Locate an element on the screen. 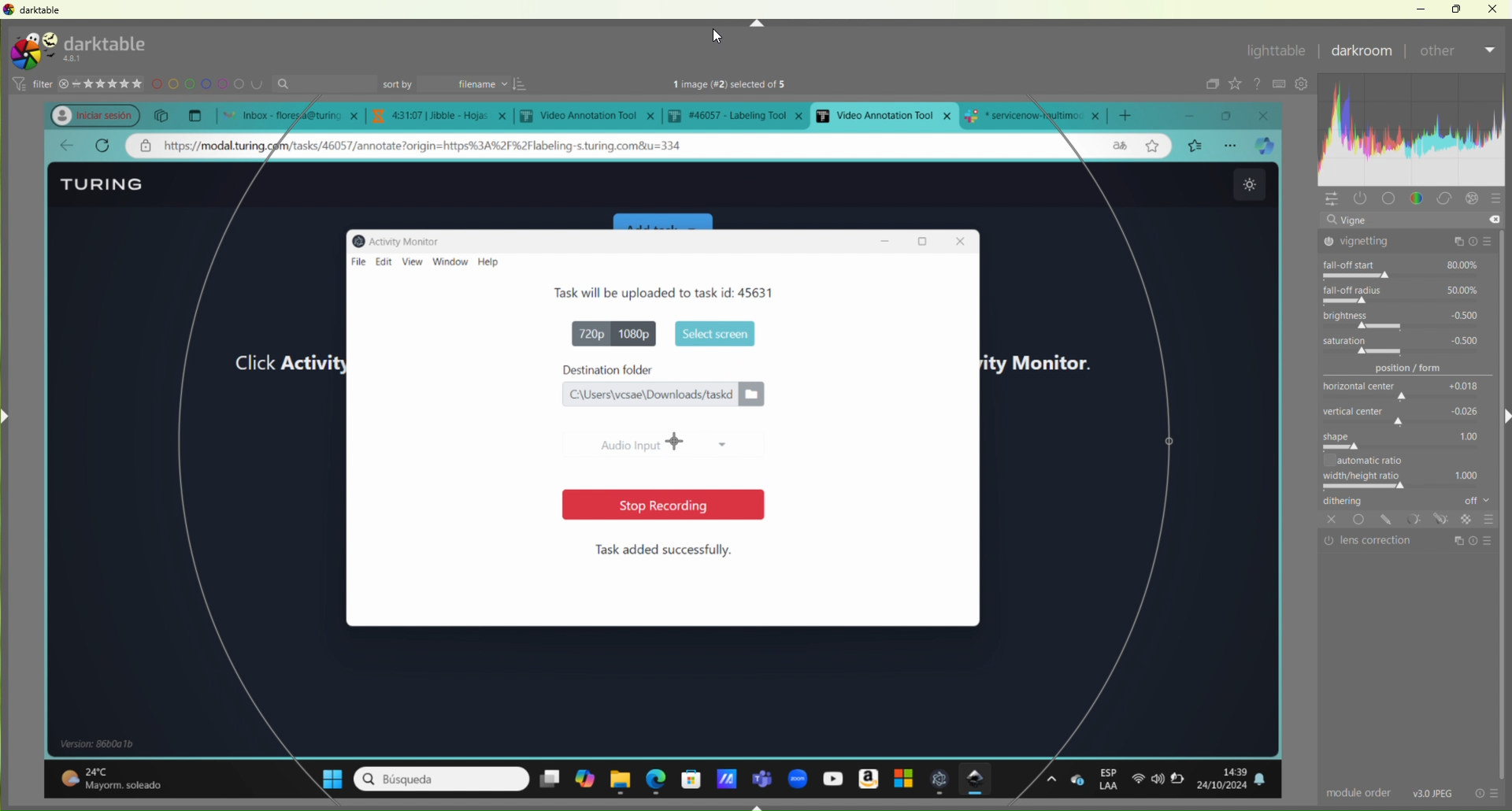 Image resolution: width=1512 pixels, height=811 pixels. web address is located at coordinates (443, 146).